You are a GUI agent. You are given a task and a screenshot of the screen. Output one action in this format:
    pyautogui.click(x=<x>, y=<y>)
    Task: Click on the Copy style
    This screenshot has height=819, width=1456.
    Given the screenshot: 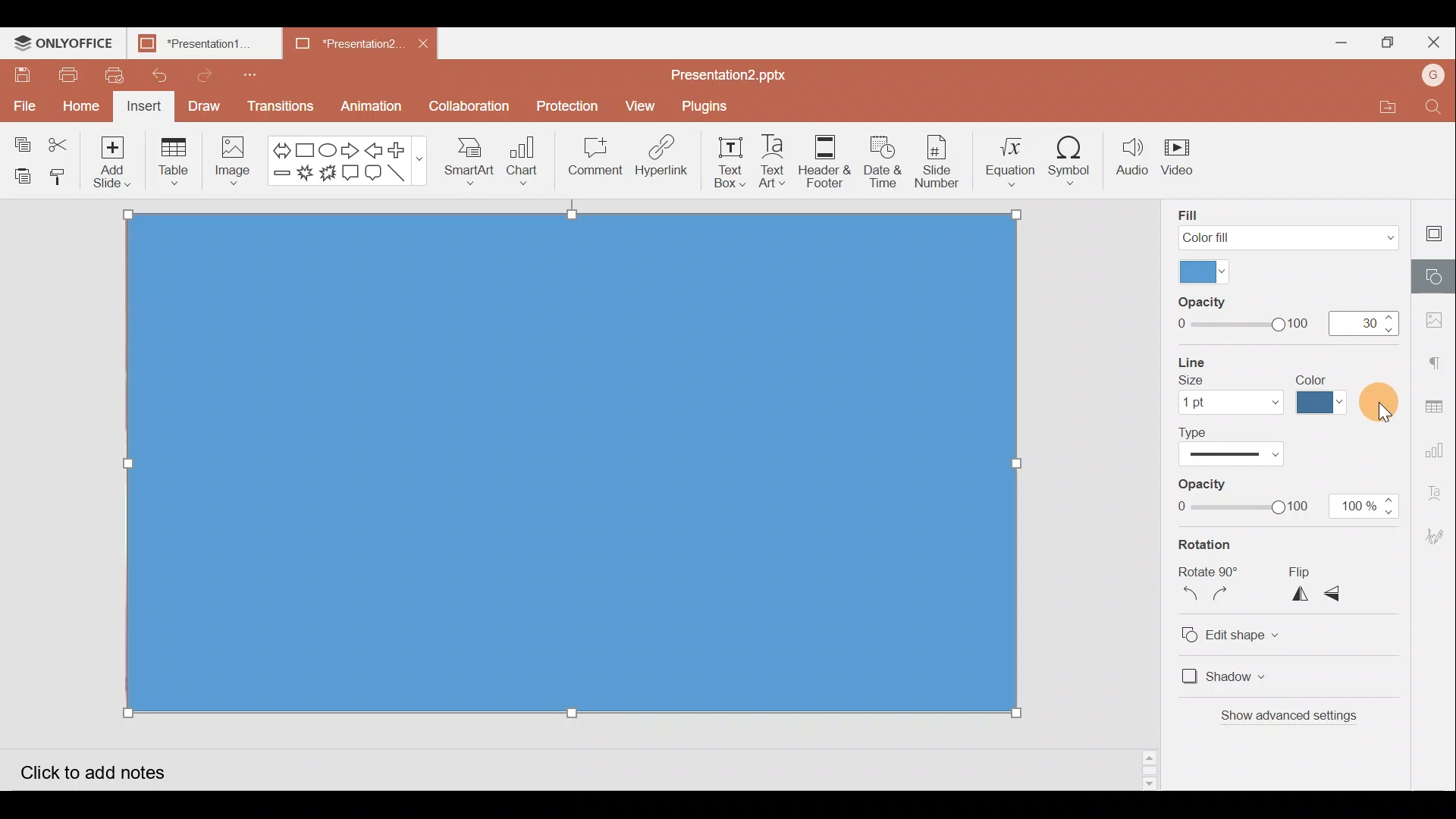 What is the action you would take?
    pyautogui.click(x=61, y=176)
    